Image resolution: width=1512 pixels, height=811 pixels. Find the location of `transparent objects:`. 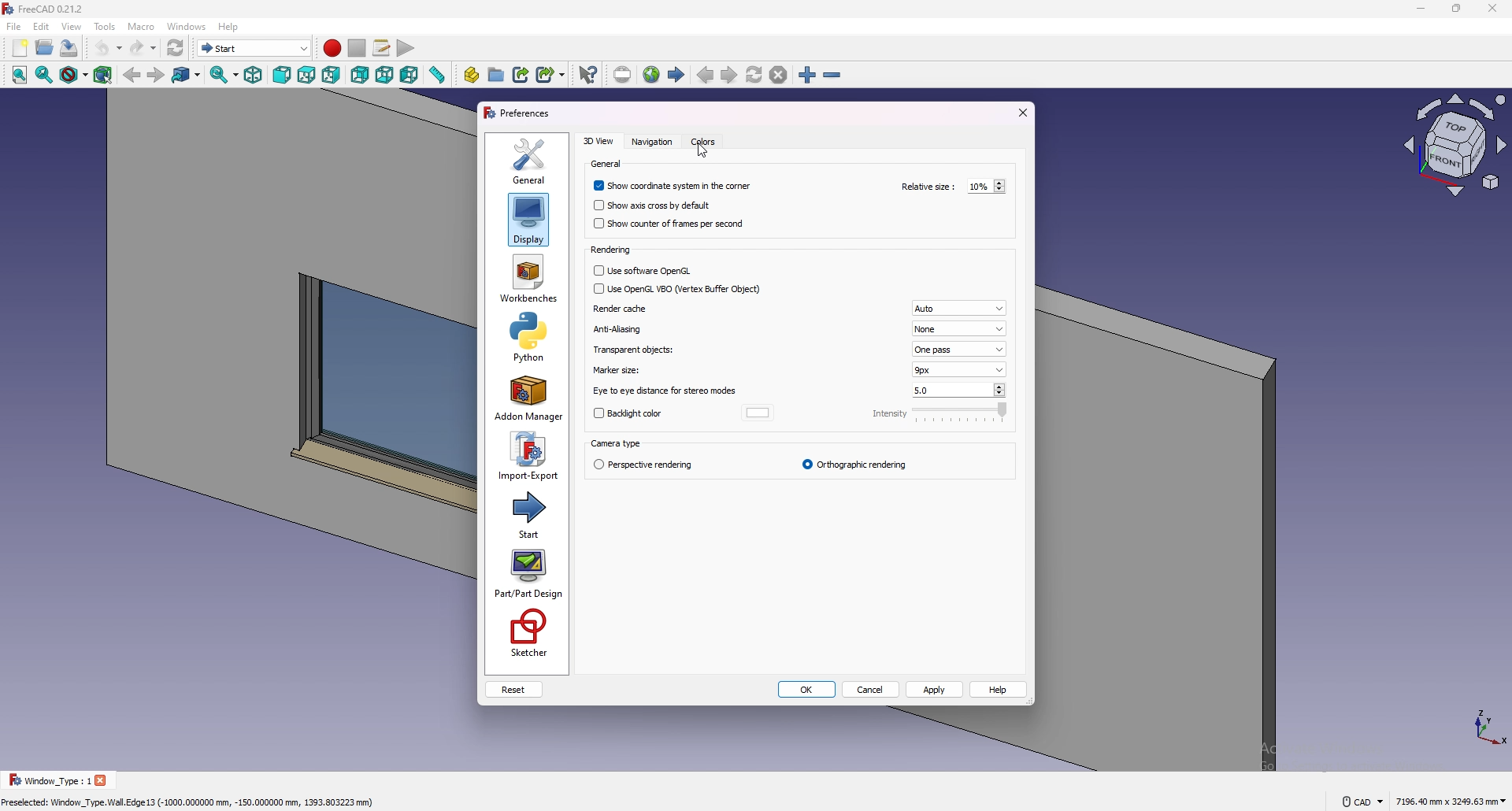

transparent objects: is located at coordinates (637, 349).